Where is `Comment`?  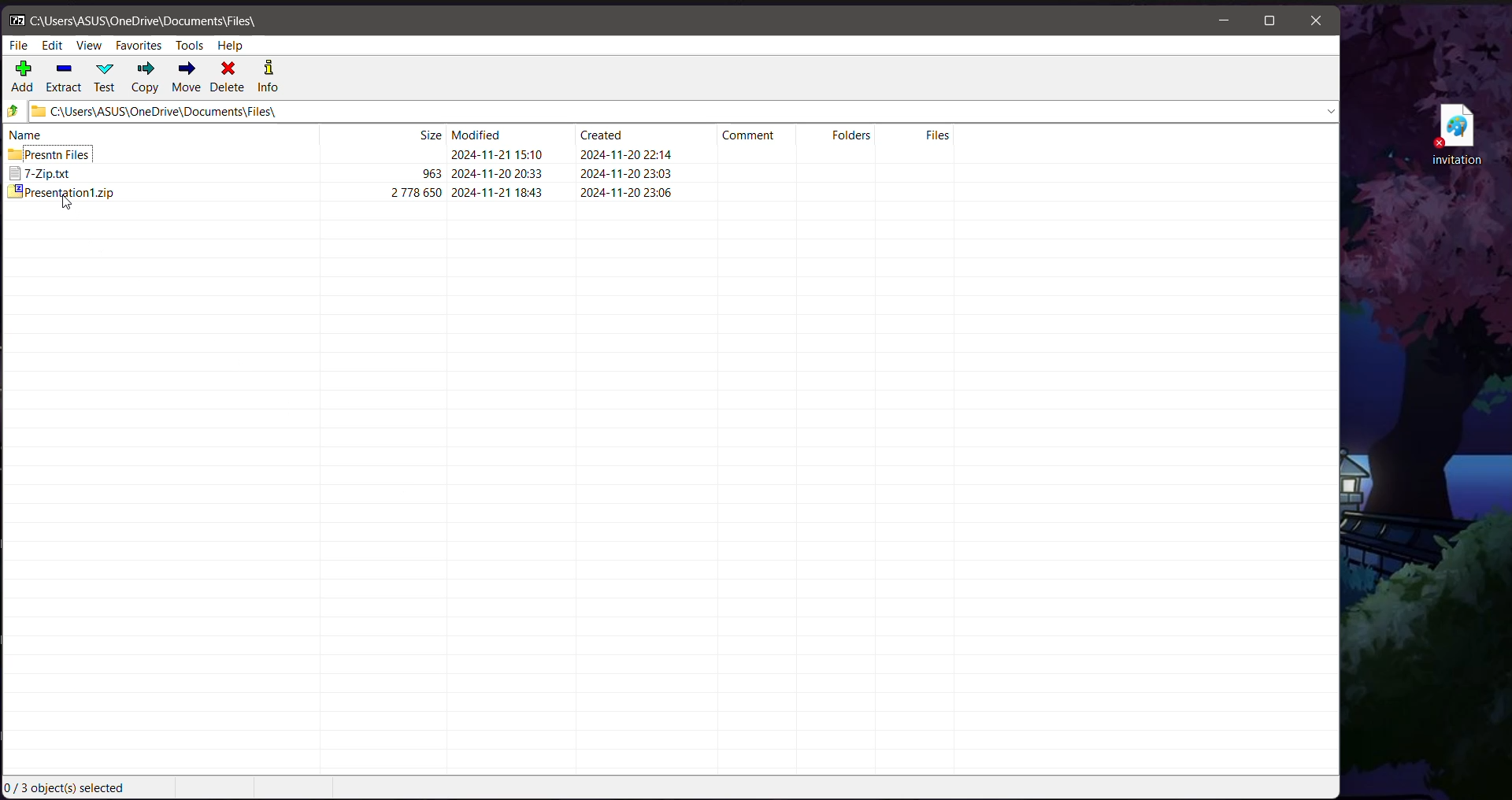
Comment is located at coordinates (754, 133).